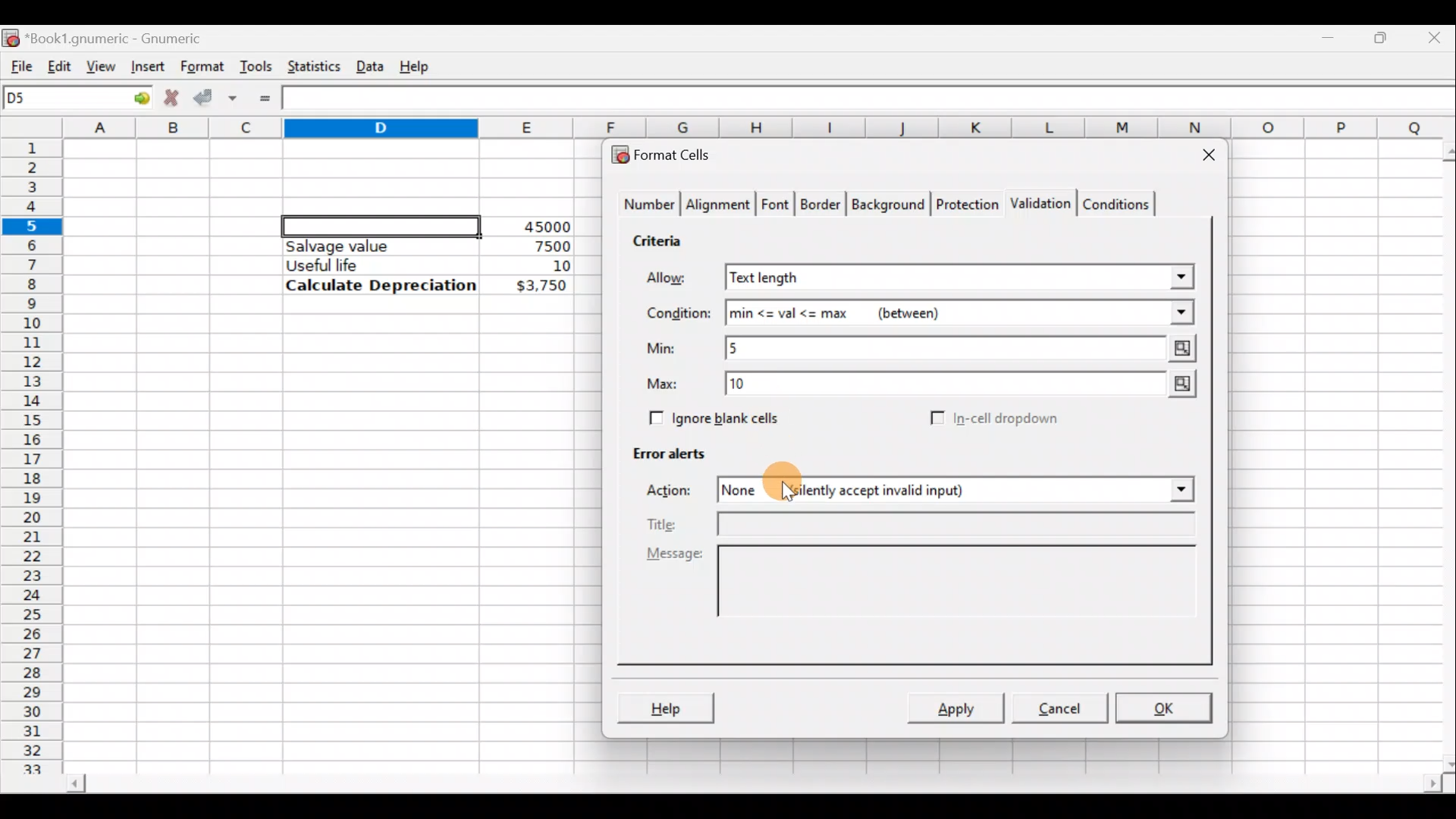  What do you see at coordinates (369, 63) in the screenshot?
I see `Data` at bounding box center [369, 63].